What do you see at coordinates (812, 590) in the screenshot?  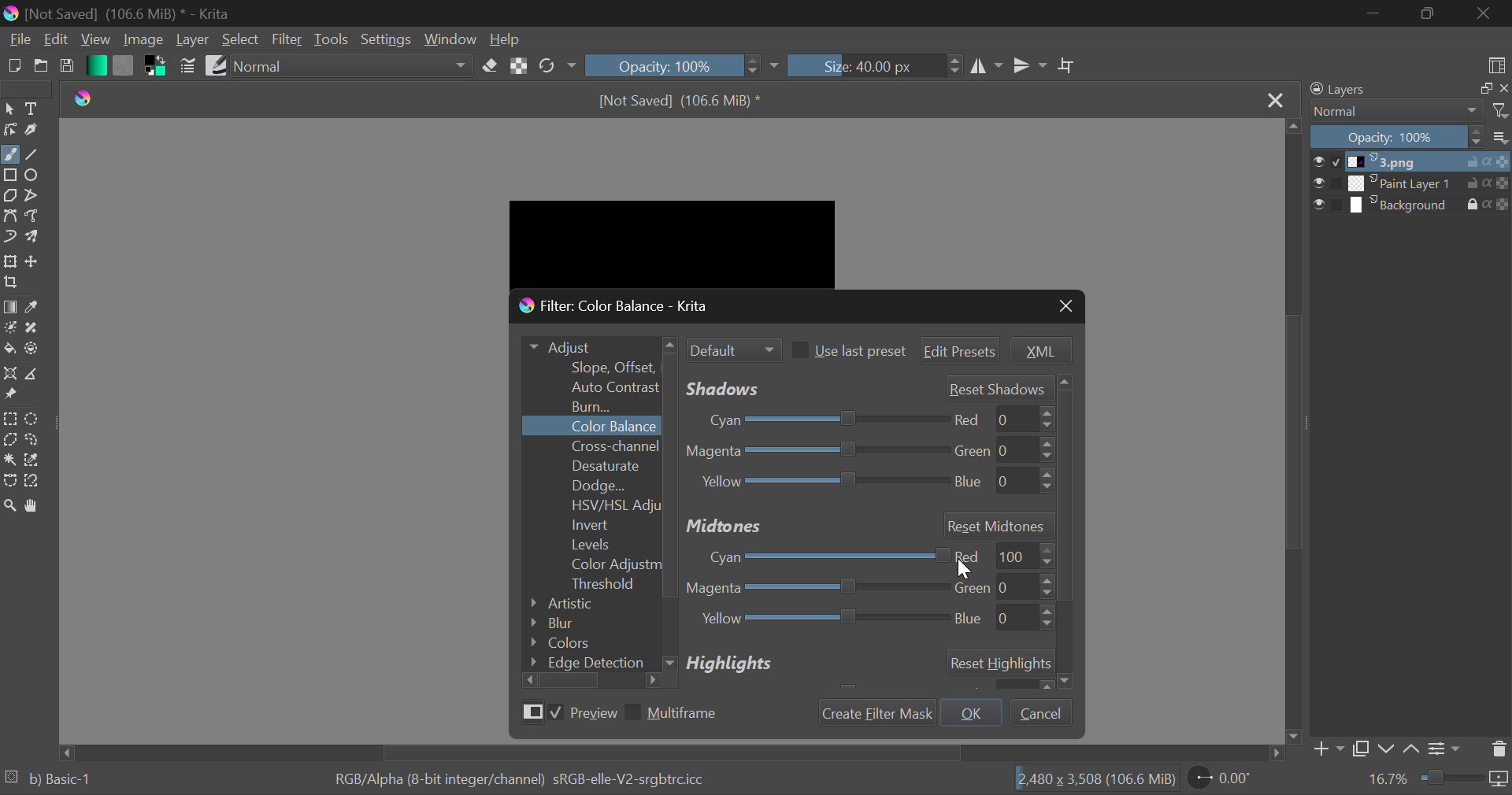 I see `Magenta-Green Adjustment Slider ` at bounding box center [812, 590].